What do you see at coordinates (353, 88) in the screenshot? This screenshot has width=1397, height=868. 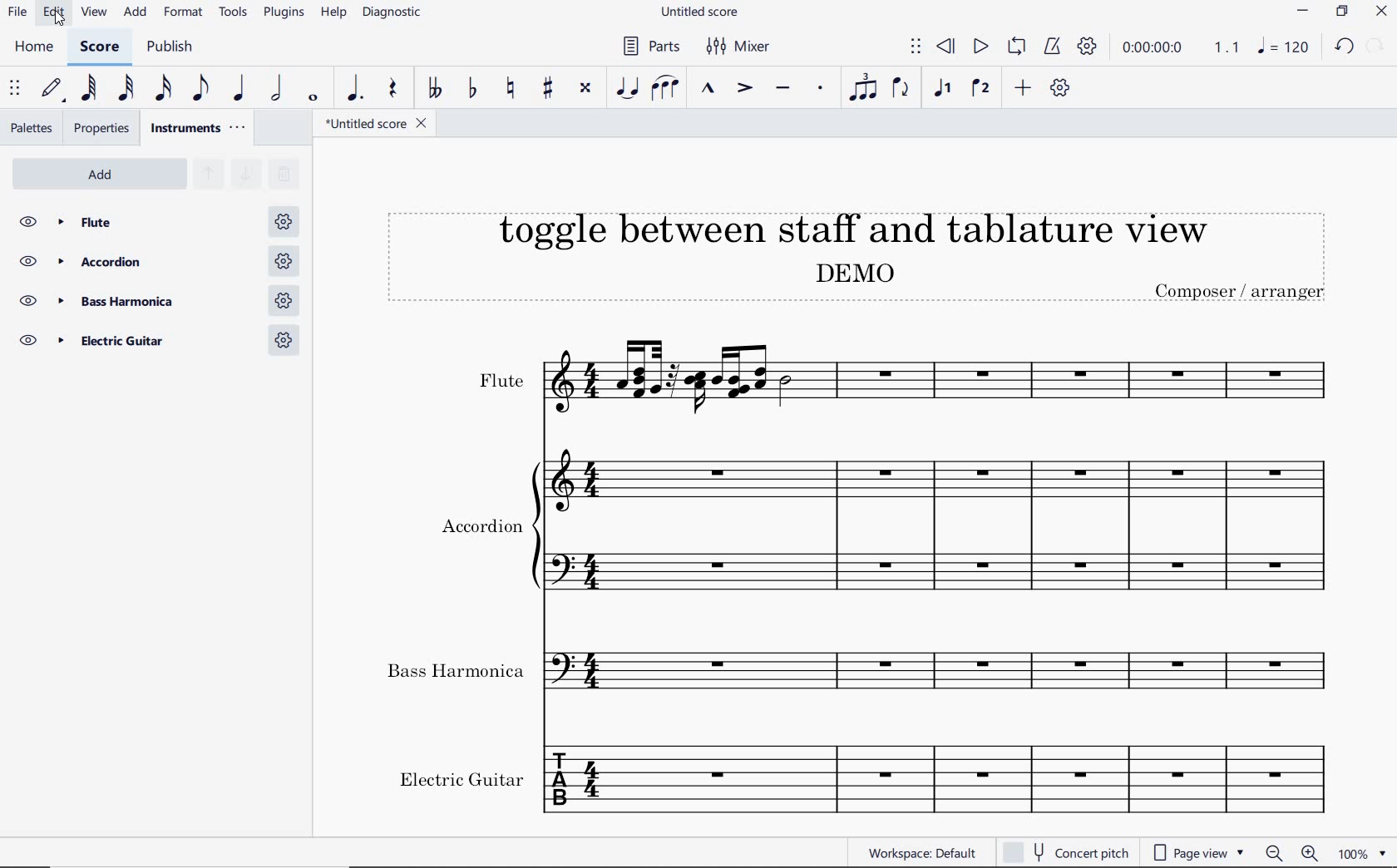 I see `augmentation dot` at bounding box center [353, 88].